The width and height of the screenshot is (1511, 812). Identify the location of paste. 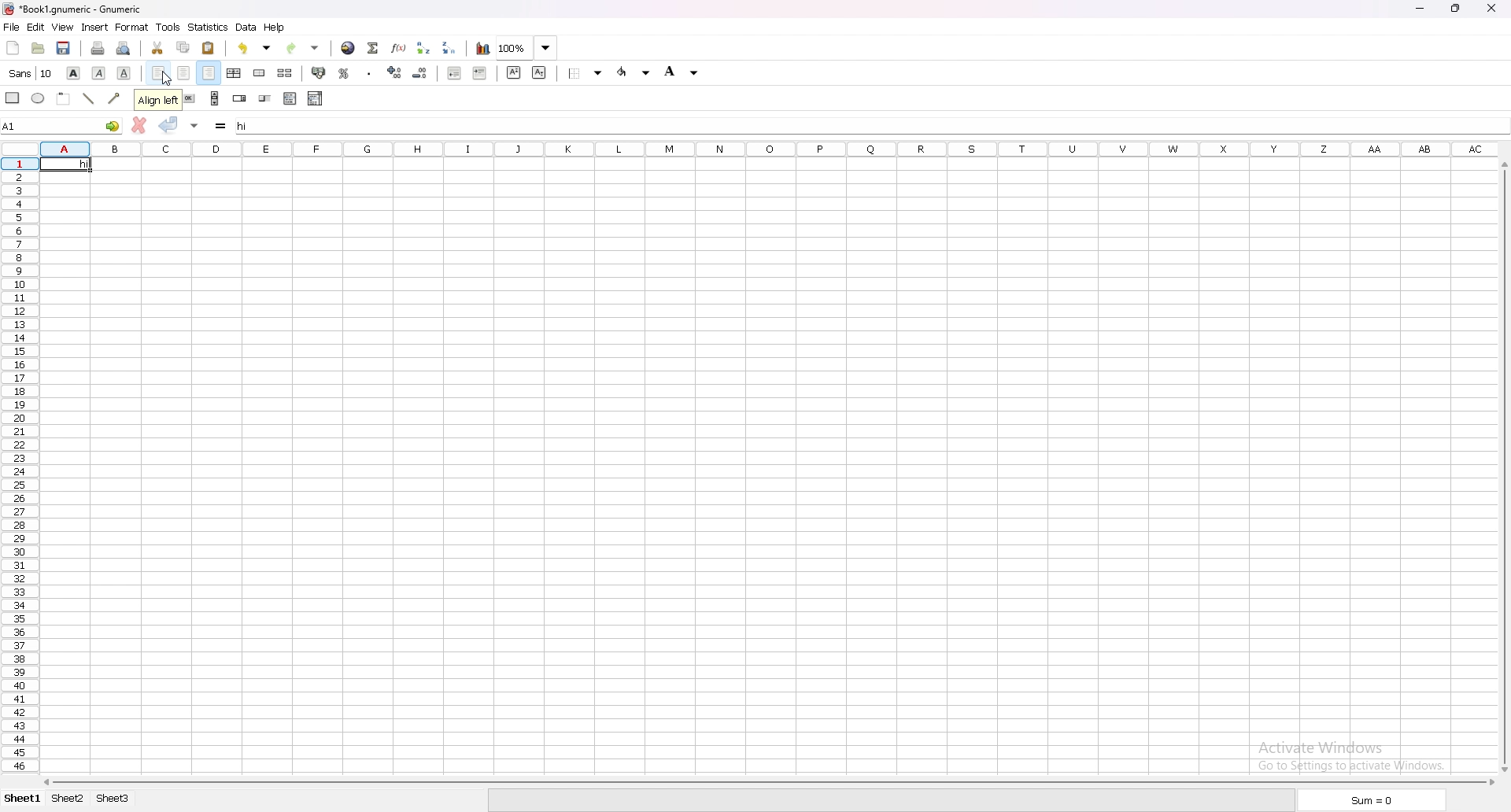
(209, 47).